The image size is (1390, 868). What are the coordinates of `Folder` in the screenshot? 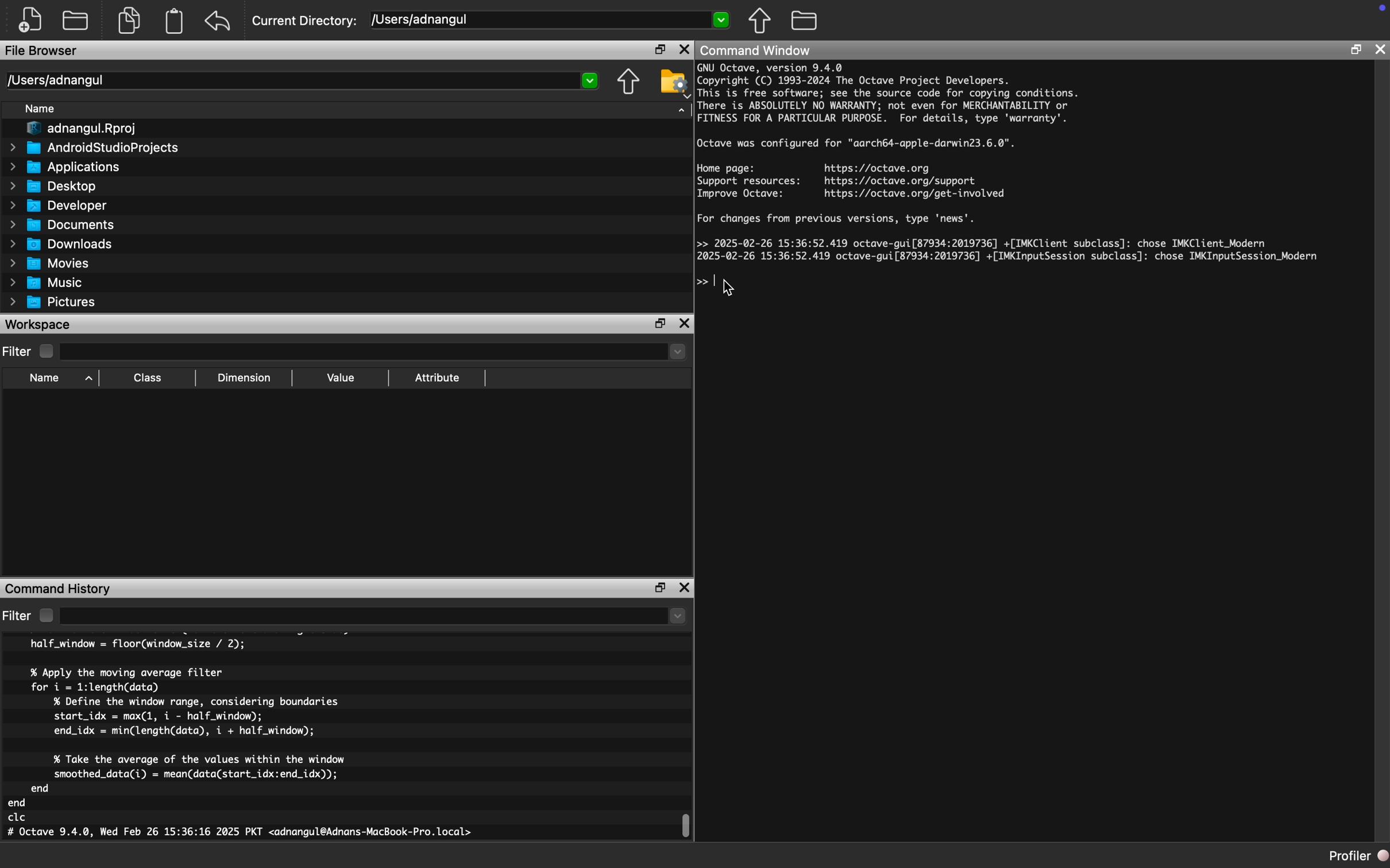 It's located at (805, 19).